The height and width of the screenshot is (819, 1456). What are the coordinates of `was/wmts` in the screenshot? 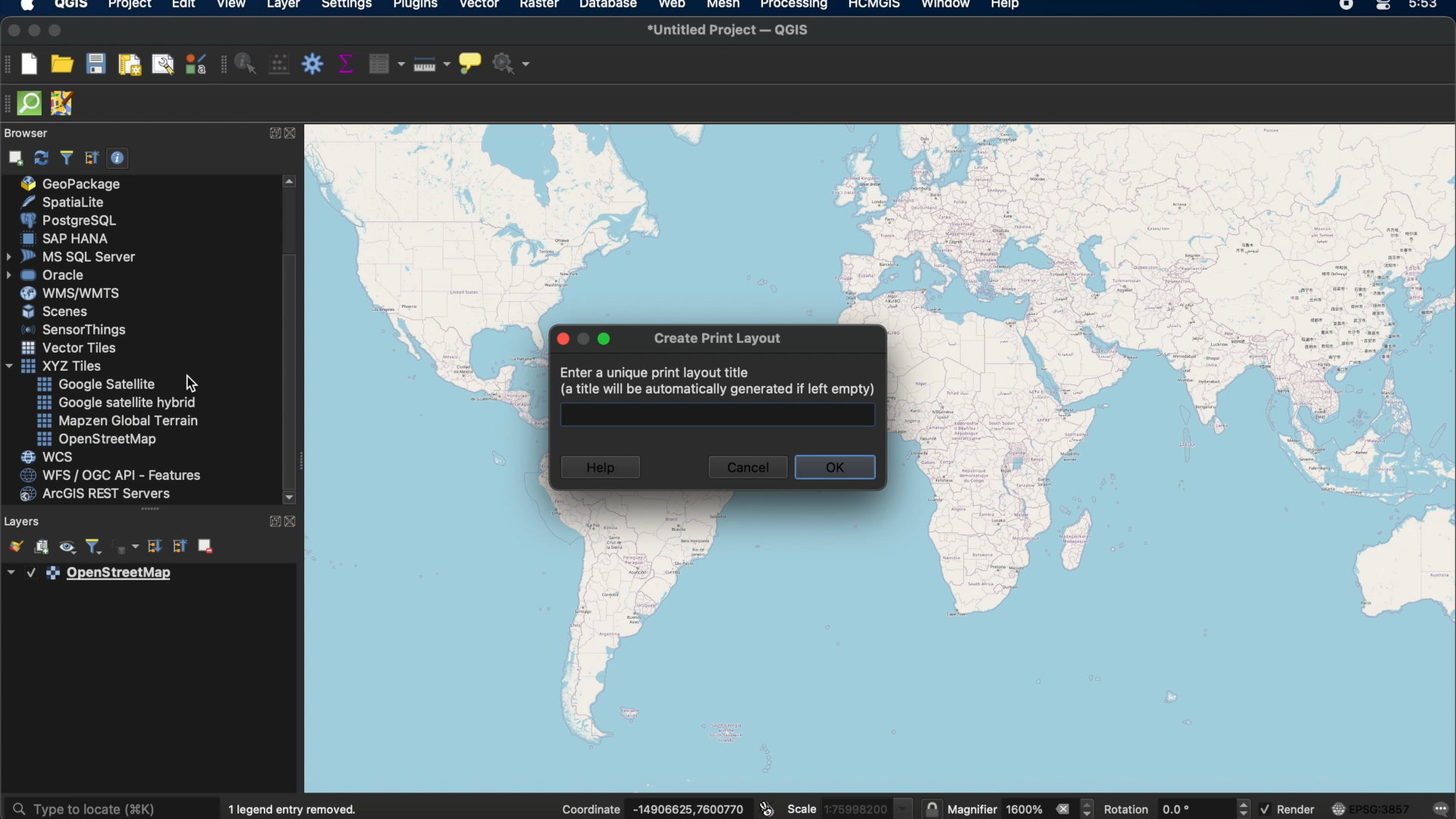 It's located at (69, 294).